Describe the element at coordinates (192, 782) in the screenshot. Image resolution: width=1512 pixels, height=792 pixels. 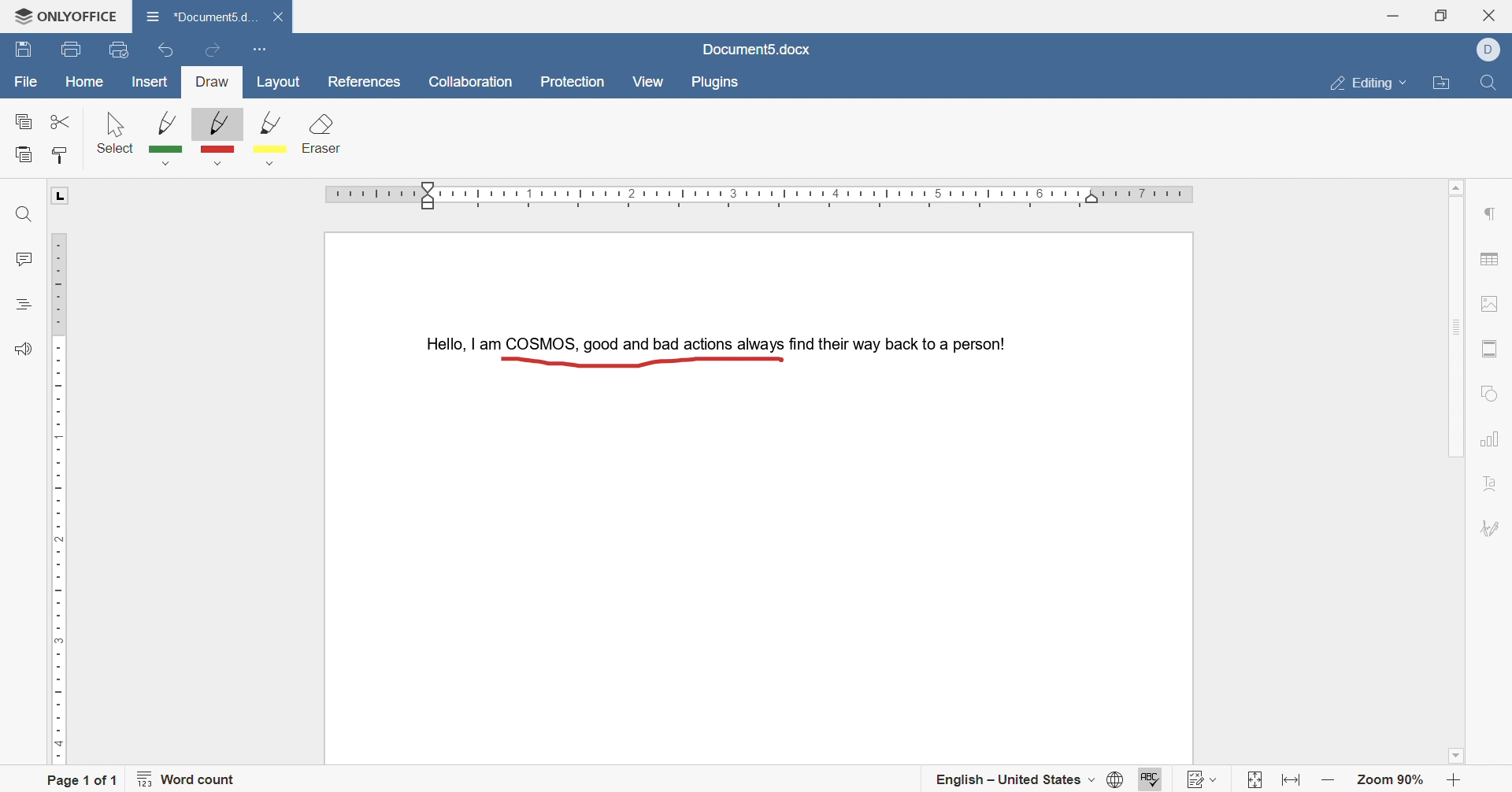
I see `word count` at that location.